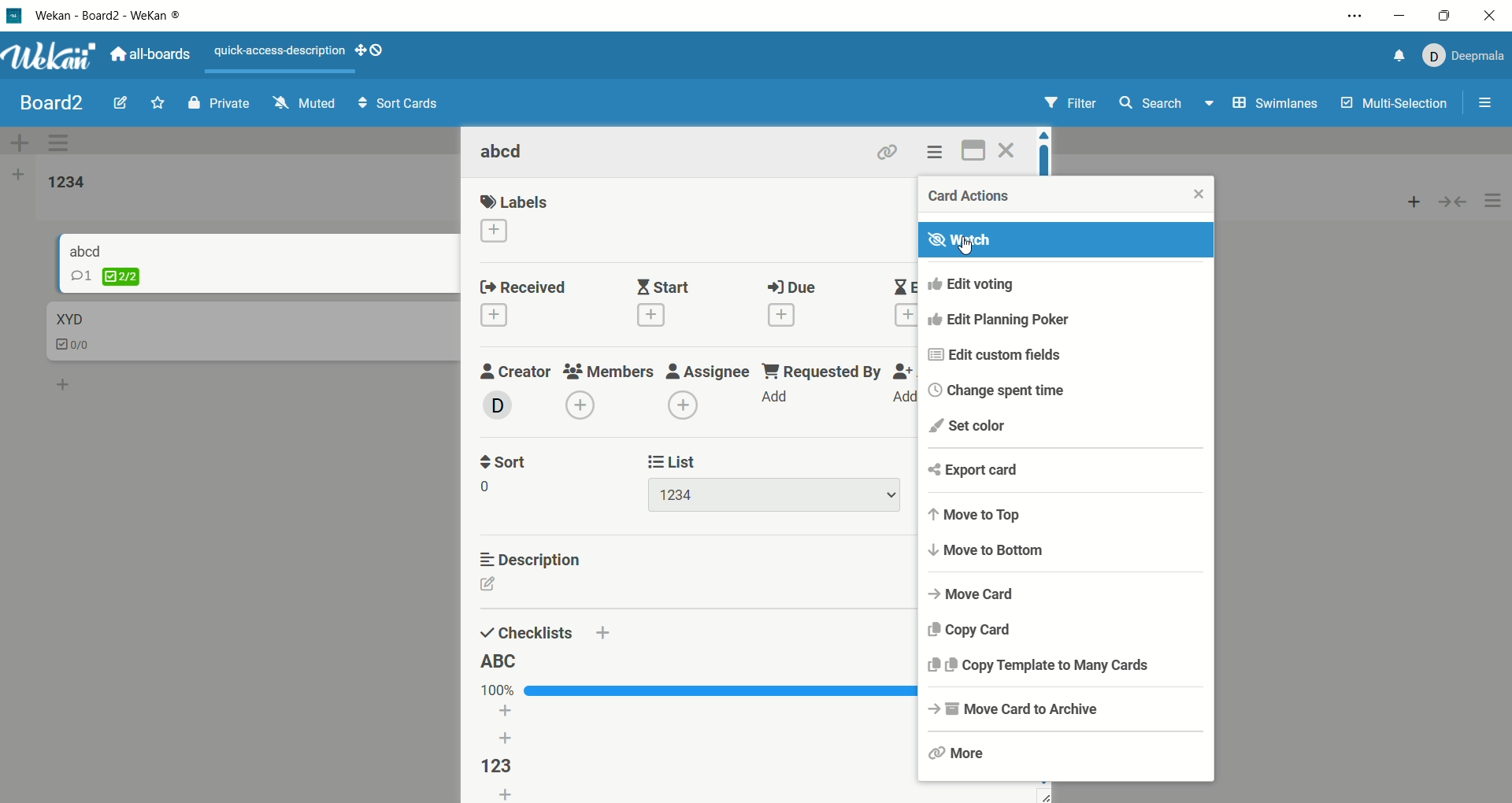 The width and height of the screenshot is (1512, 803). What do you see at coordinates (127, 15) in the screenshot?
I see `wekan-wekan` at bounding box center [127, 15].